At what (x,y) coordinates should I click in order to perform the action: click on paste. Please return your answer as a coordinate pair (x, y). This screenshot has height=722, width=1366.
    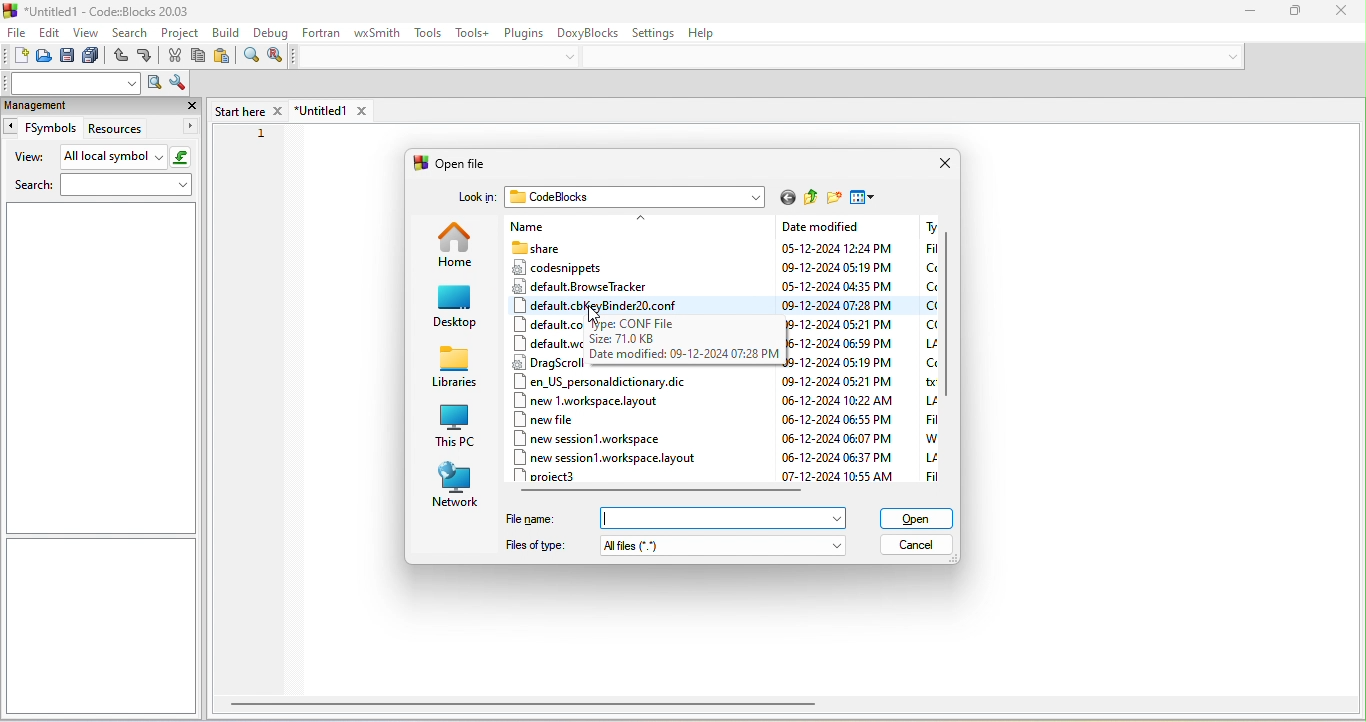
    Looking at the image, I should click on (224, 56).